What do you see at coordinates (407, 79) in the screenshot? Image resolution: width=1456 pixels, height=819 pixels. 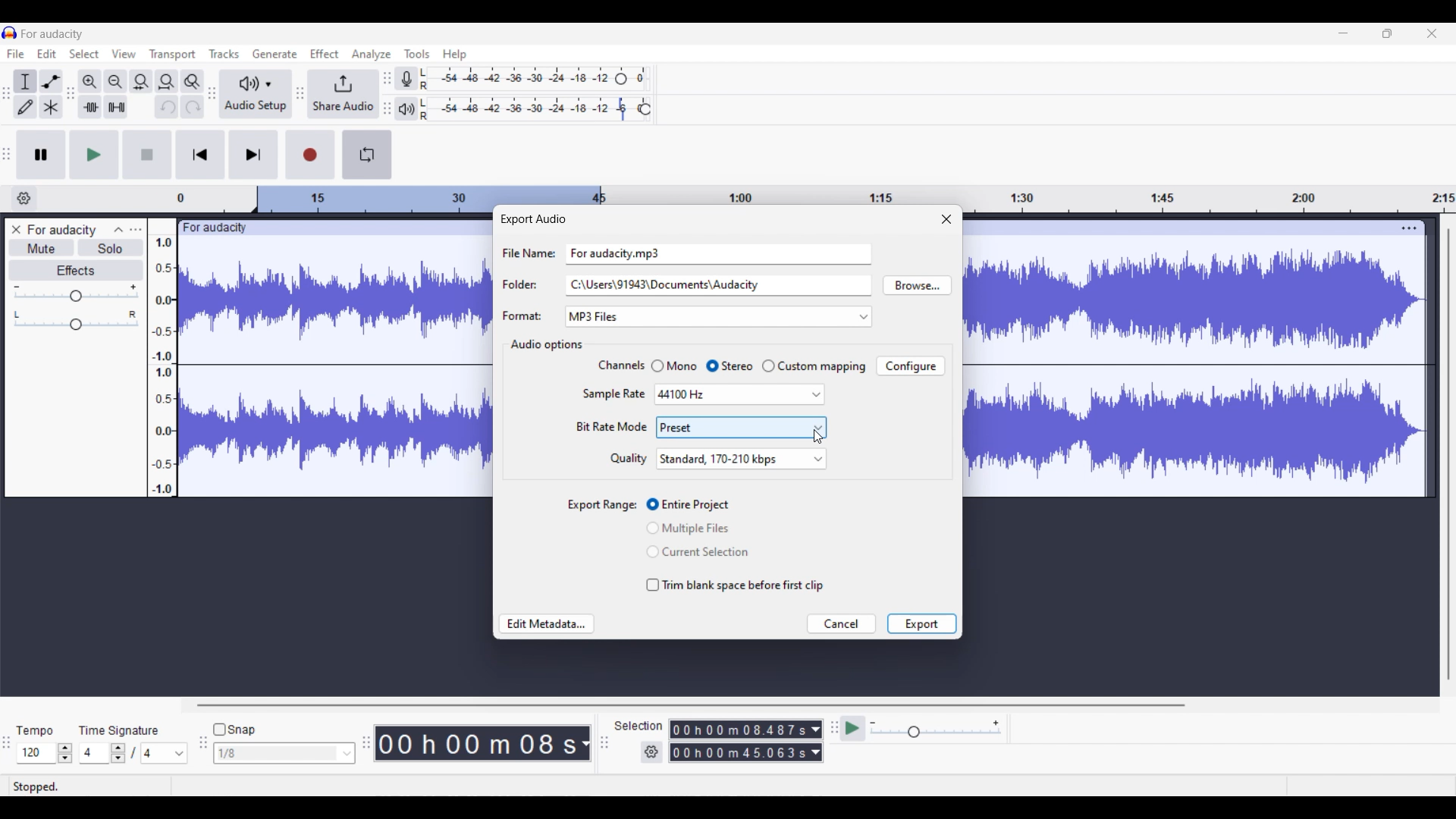 I see `Record meter` at bounding box center [407, 79].